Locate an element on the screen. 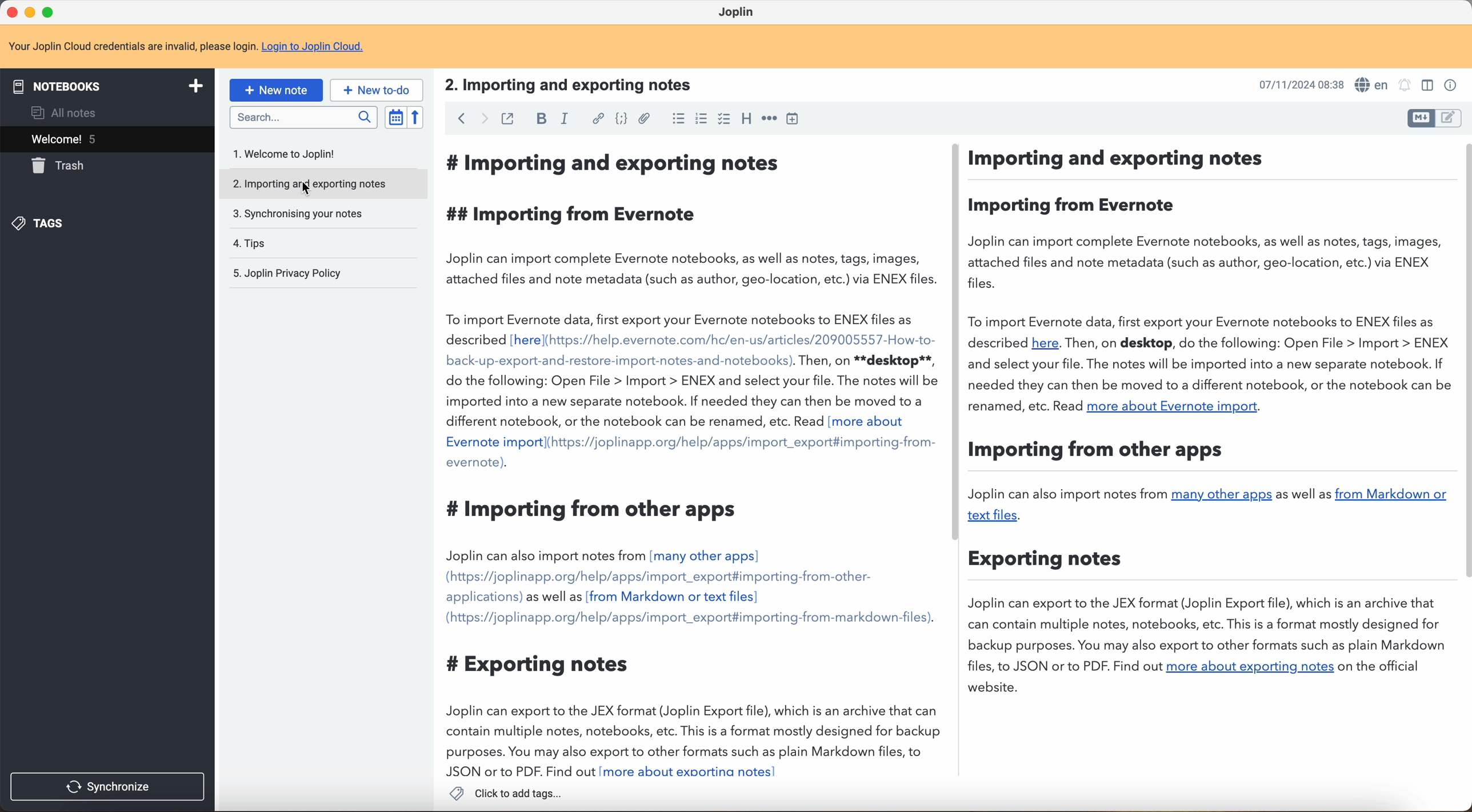 This screenshot has width=1472, height=812. reverse sort order is located at coordinates (414, 118).